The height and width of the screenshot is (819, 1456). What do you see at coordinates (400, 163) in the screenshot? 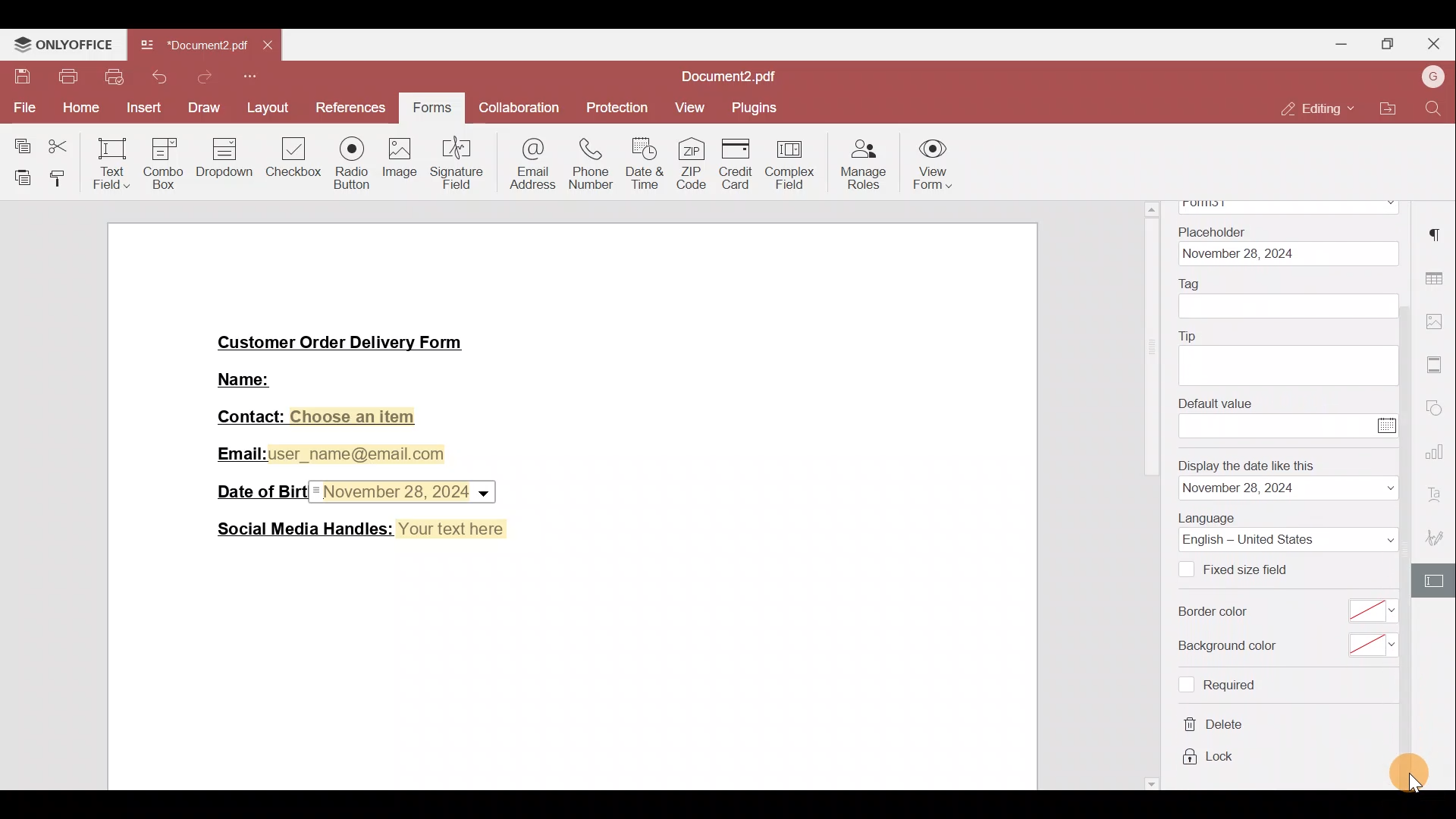
I see `Image` at bounding box center [400, 163].